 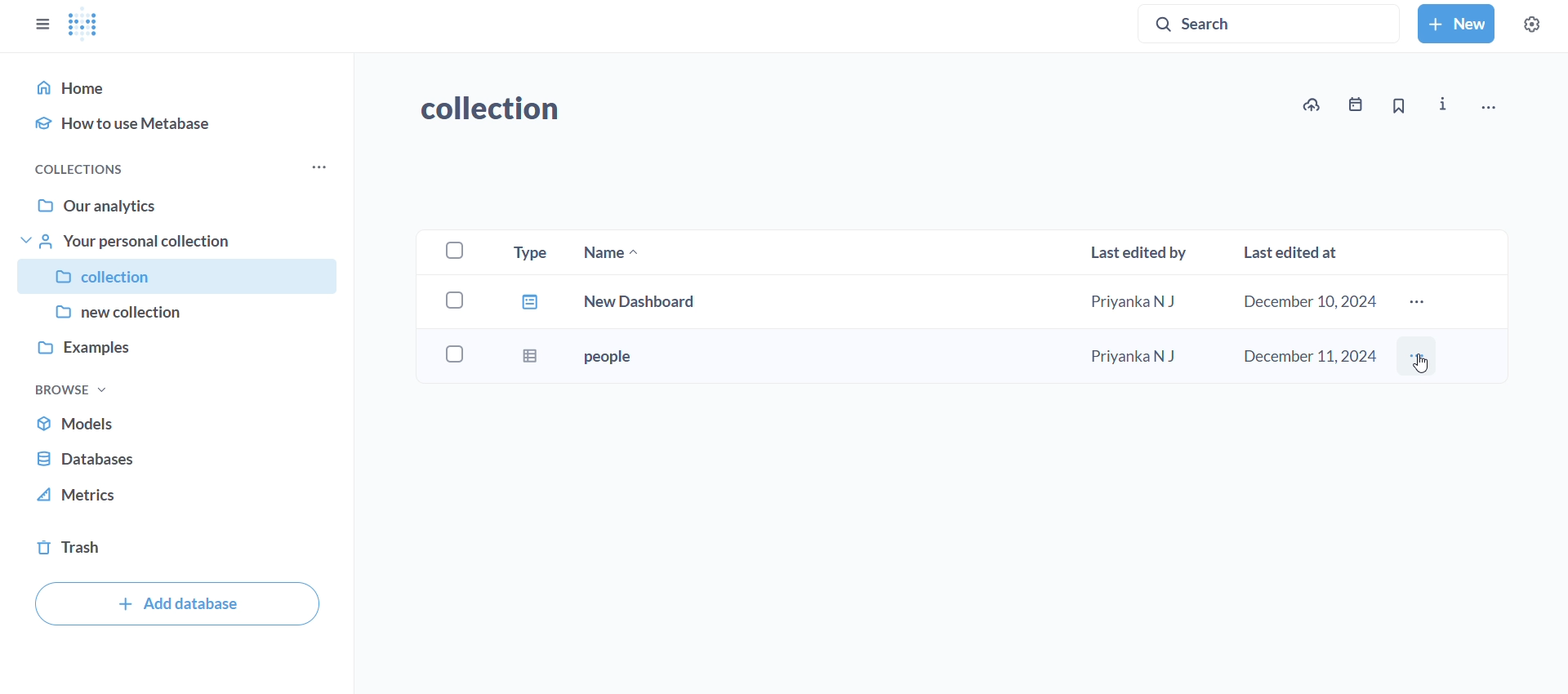 What do you see at coordinates (1455, 24) in the screenshot?
I see `new` at bounding box center [1455, 24].